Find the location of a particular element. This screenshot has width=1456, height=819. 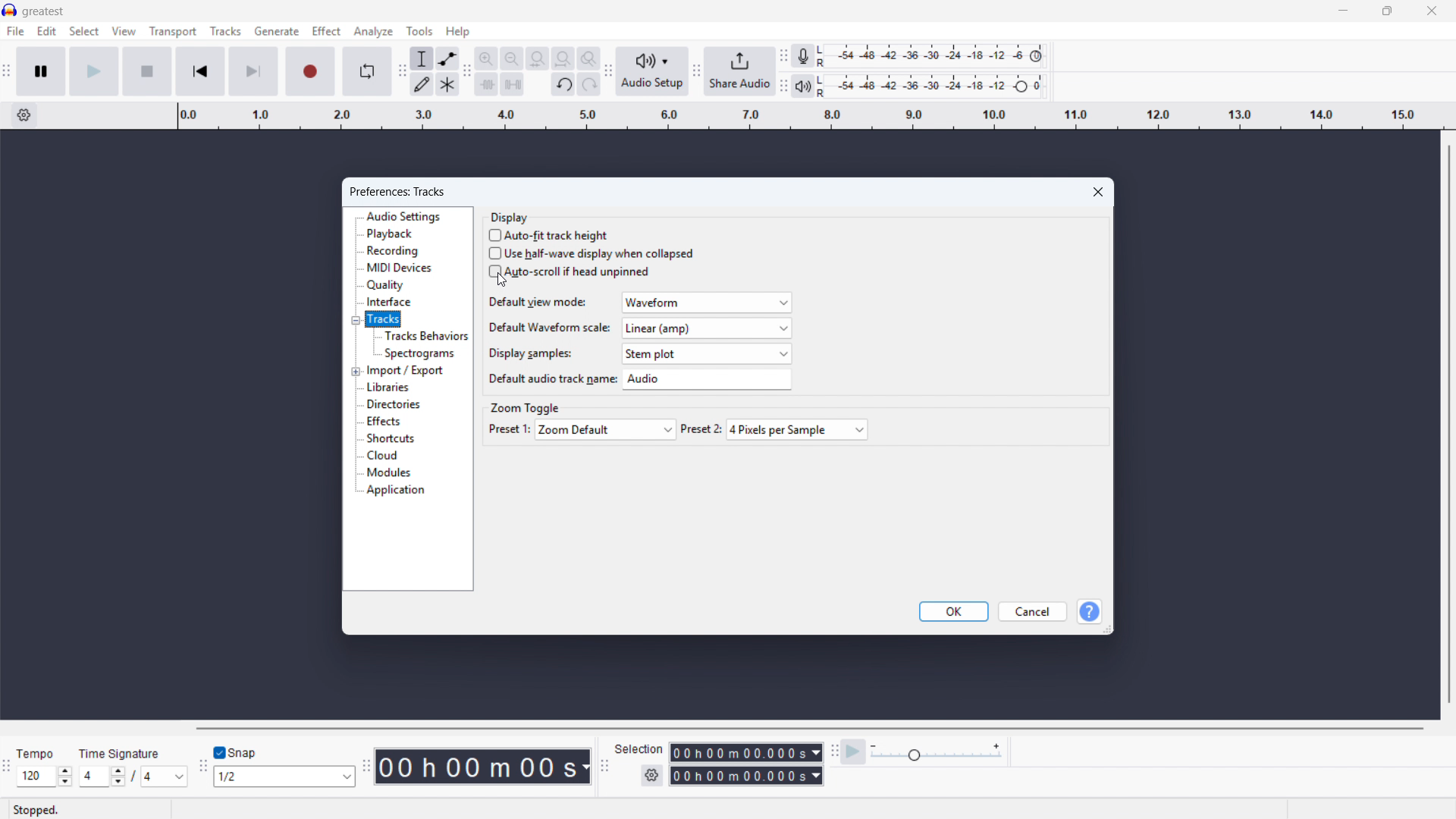

Zoom toggle  is located at coordinates (526, 409).